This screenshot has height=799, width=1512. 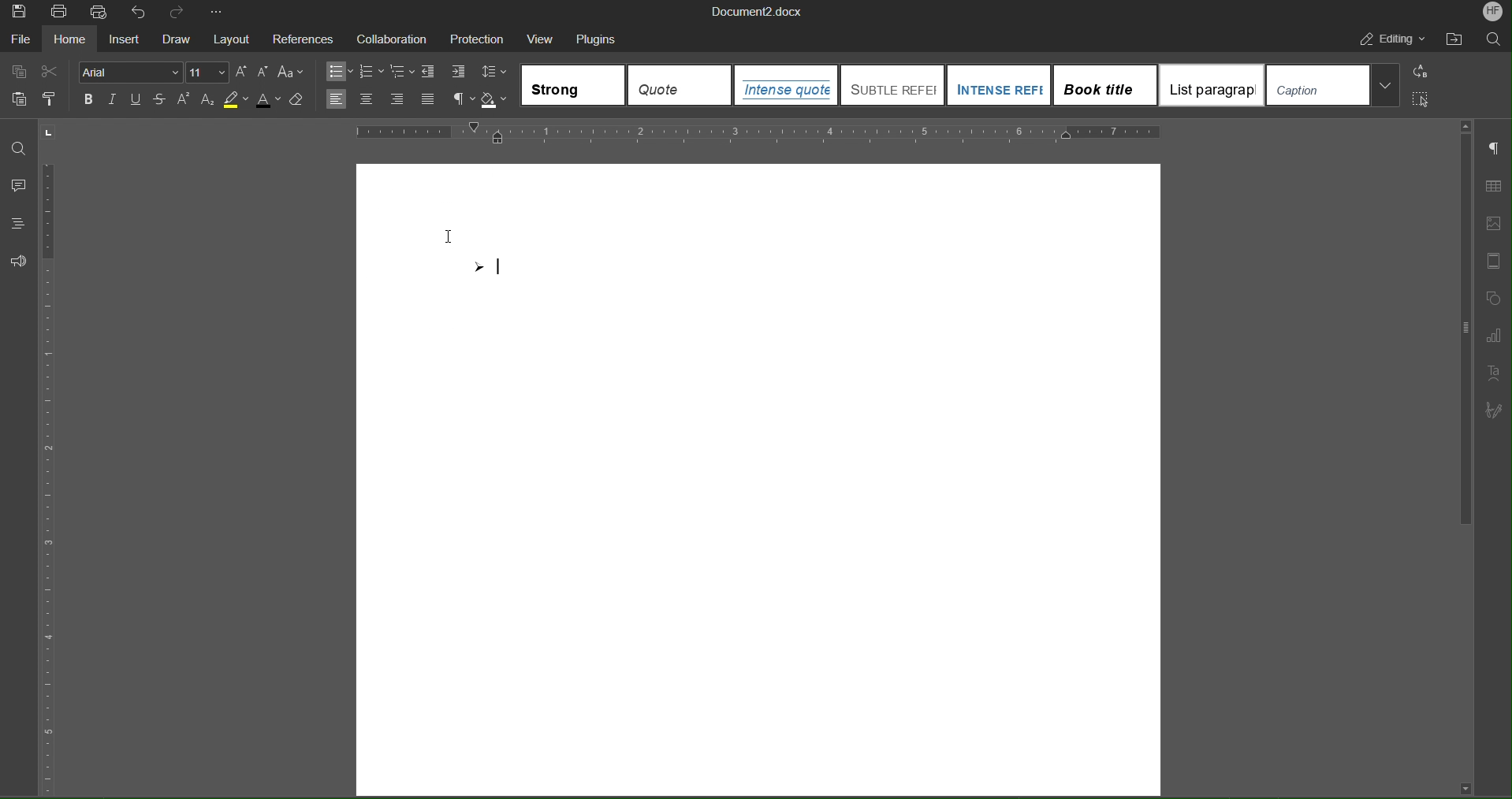 What do you see at coordinates (496, 96) in the screenshot?
I see `Shadow` at bounding box center [496, 96].